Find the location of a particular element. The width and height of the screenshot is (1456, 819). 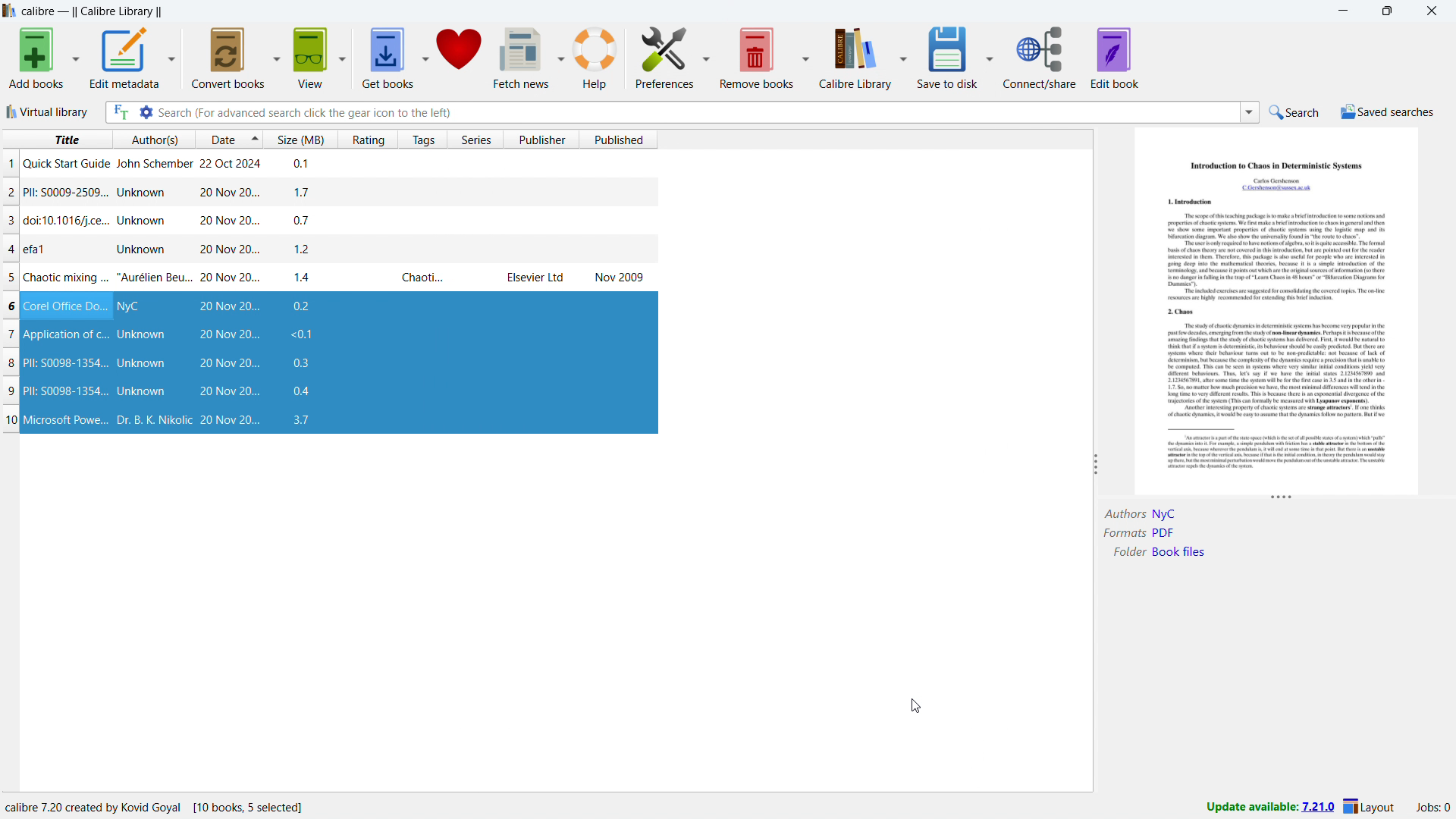

preferences is located at coordinates (665, 58).